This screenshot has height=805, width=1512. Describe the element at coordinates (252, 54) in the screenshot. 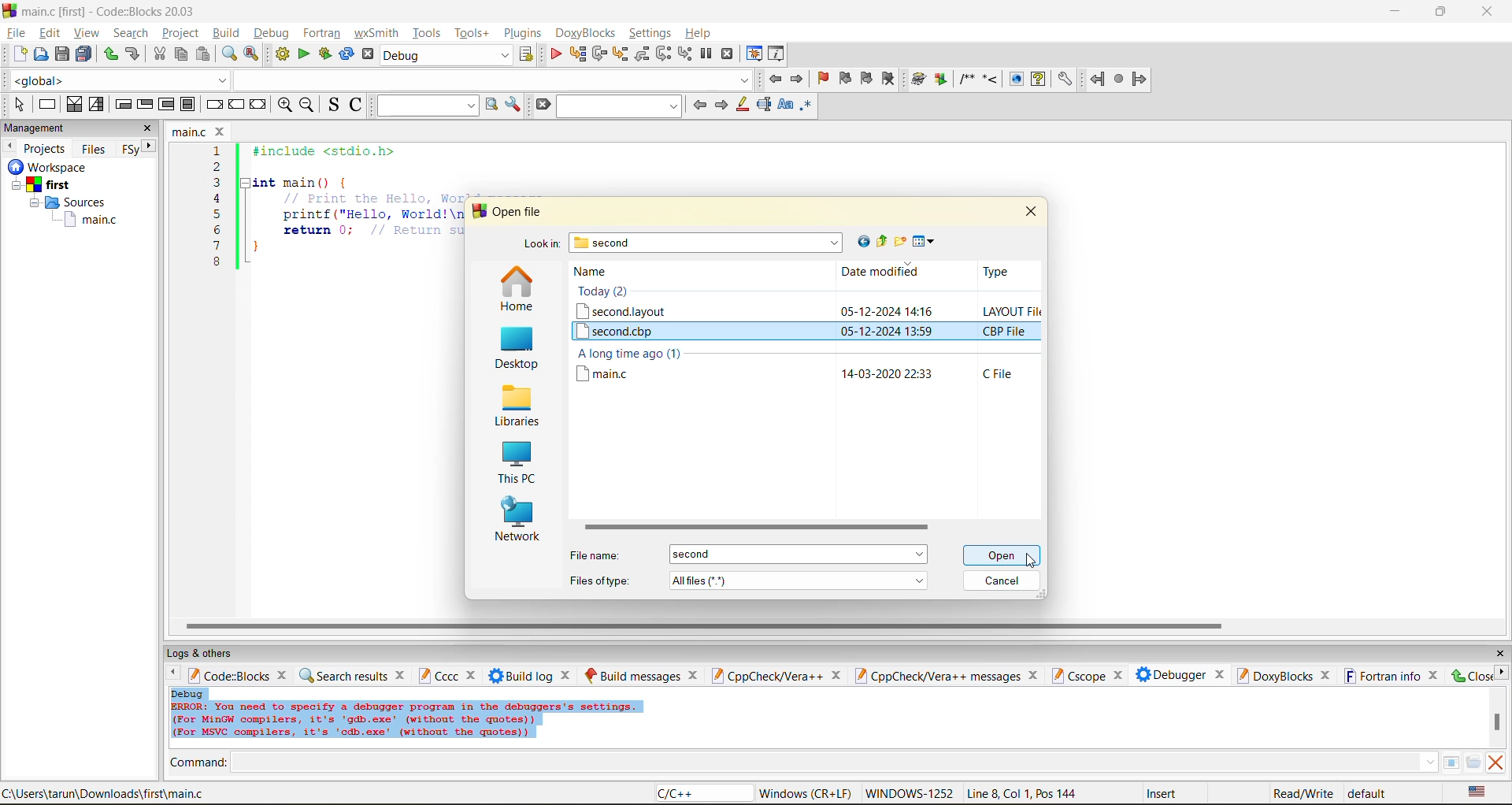

I see `replace` at that location.